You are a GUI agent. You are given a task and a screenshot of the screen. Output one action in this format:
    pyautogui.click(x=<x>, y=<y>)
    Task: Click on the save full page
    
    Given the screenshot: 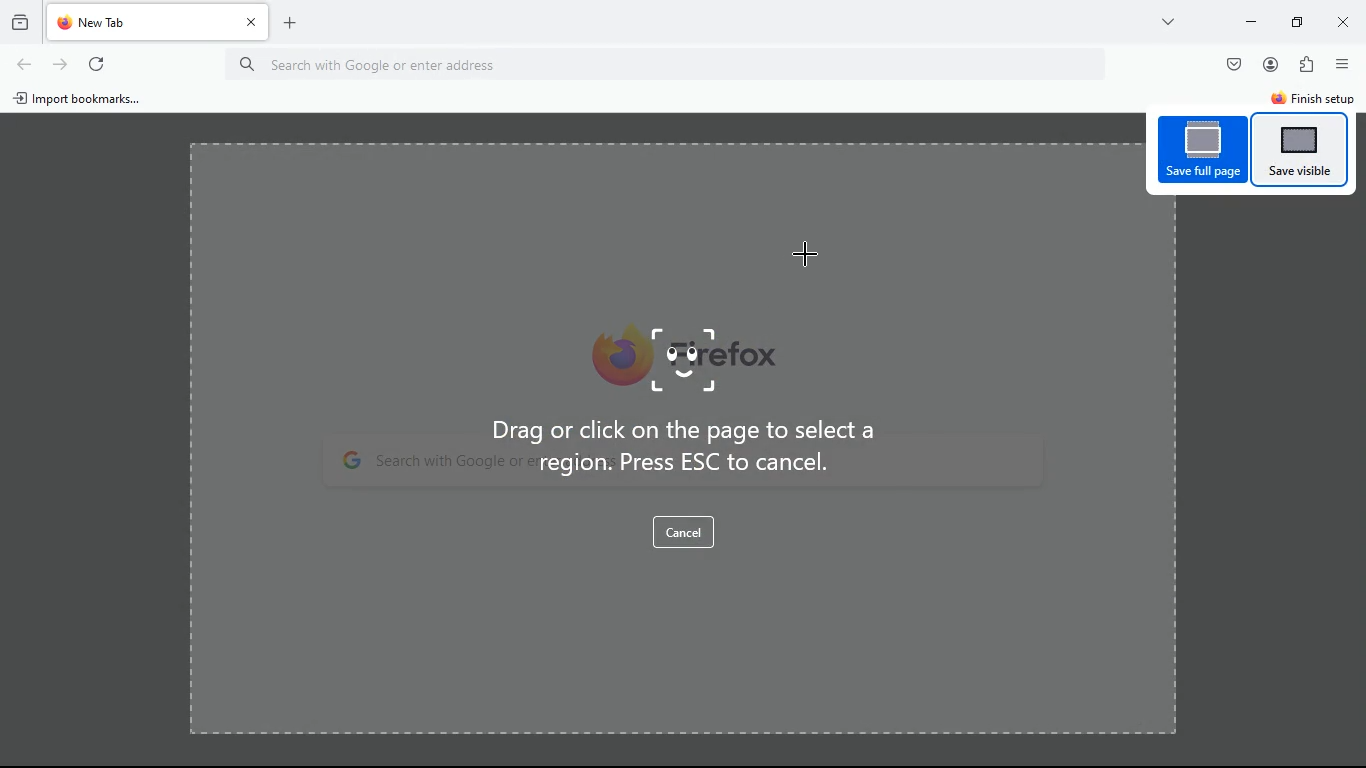 What is the action you would take?
    pyautogui.click(x=1203, y=149)
    